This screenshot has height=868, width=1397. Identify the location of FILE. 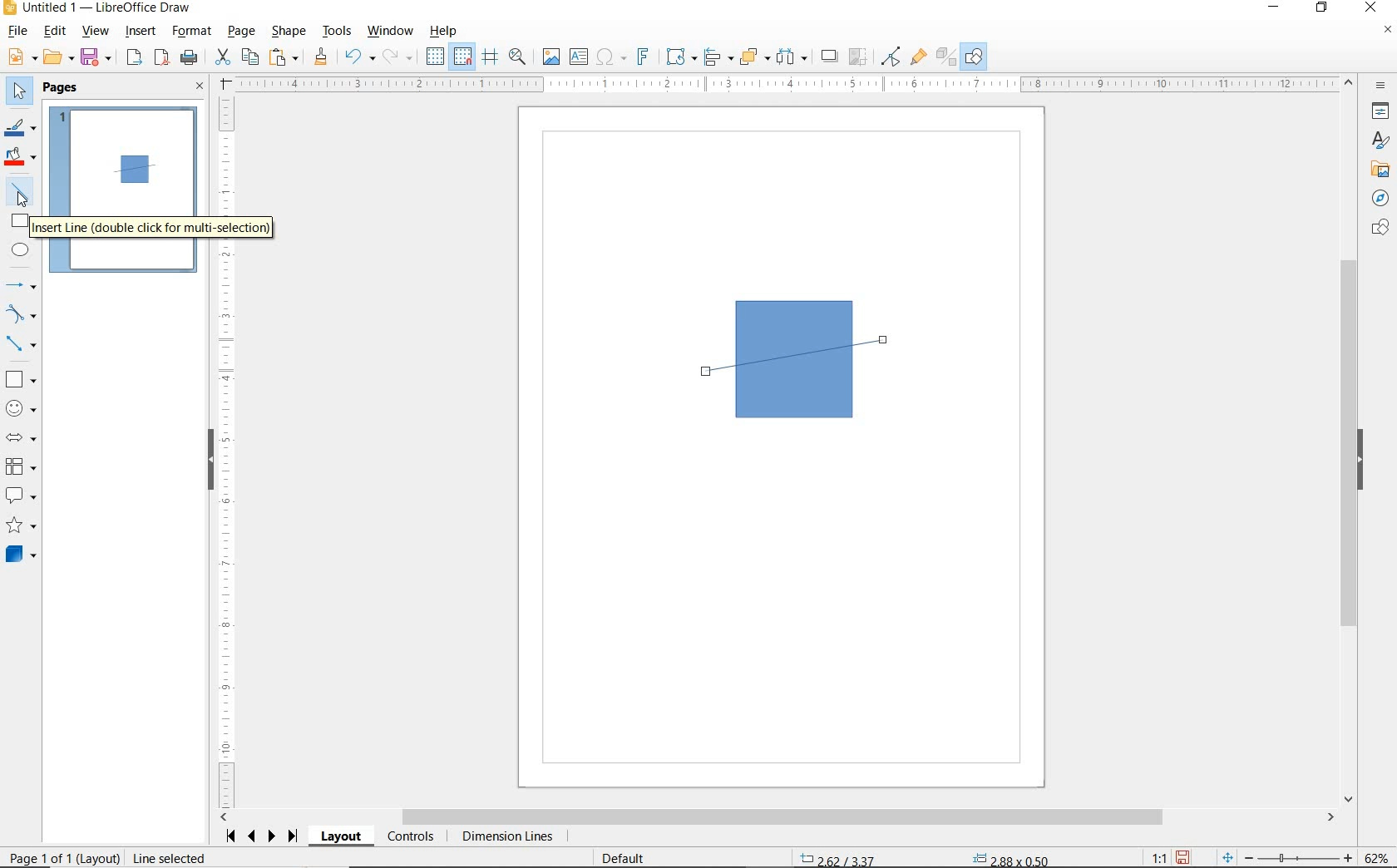
(16, 32).